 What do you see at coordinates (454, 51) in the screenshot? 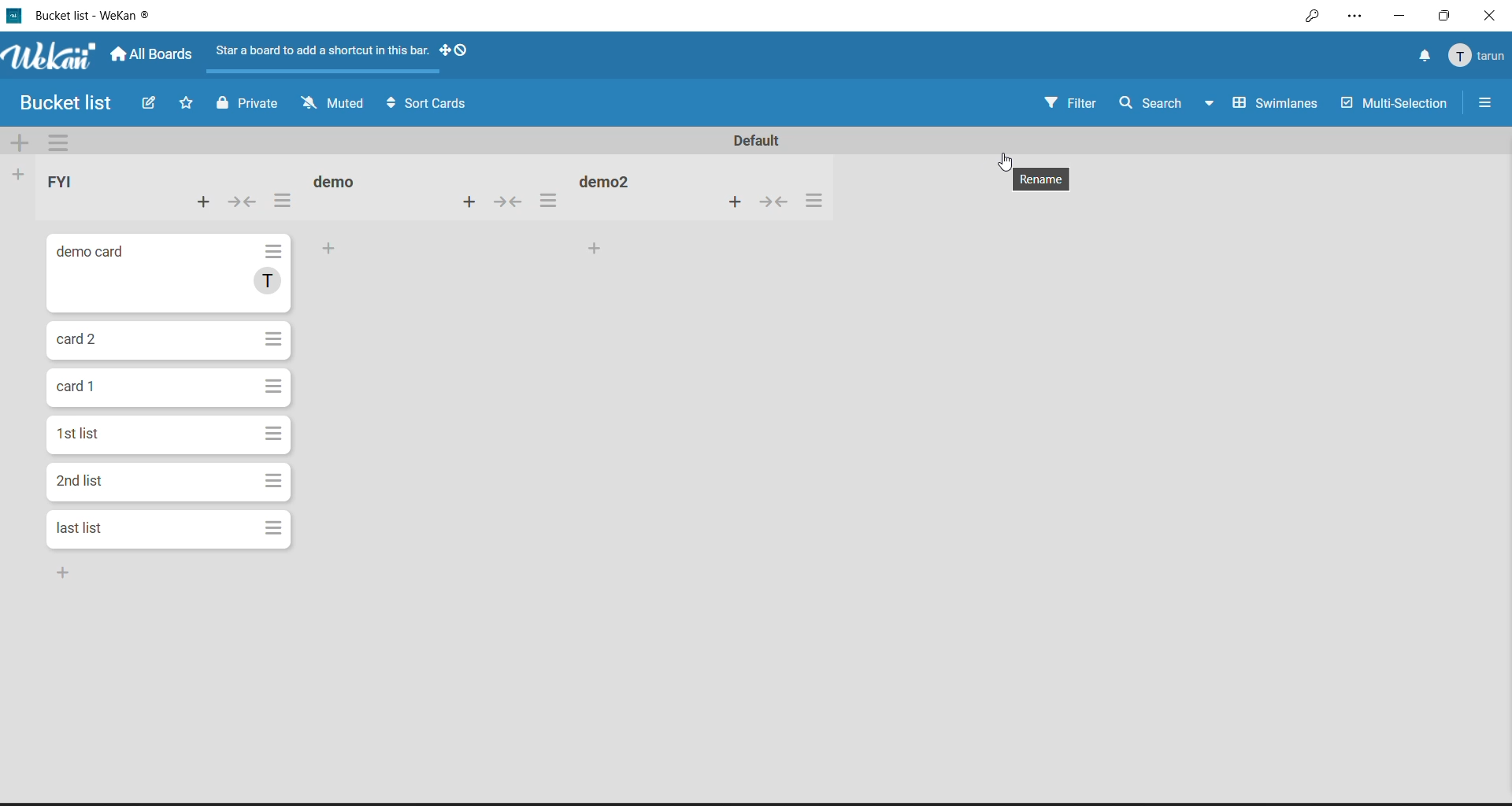
I see `show desktop drag handles` at bounding box center [454, 51].